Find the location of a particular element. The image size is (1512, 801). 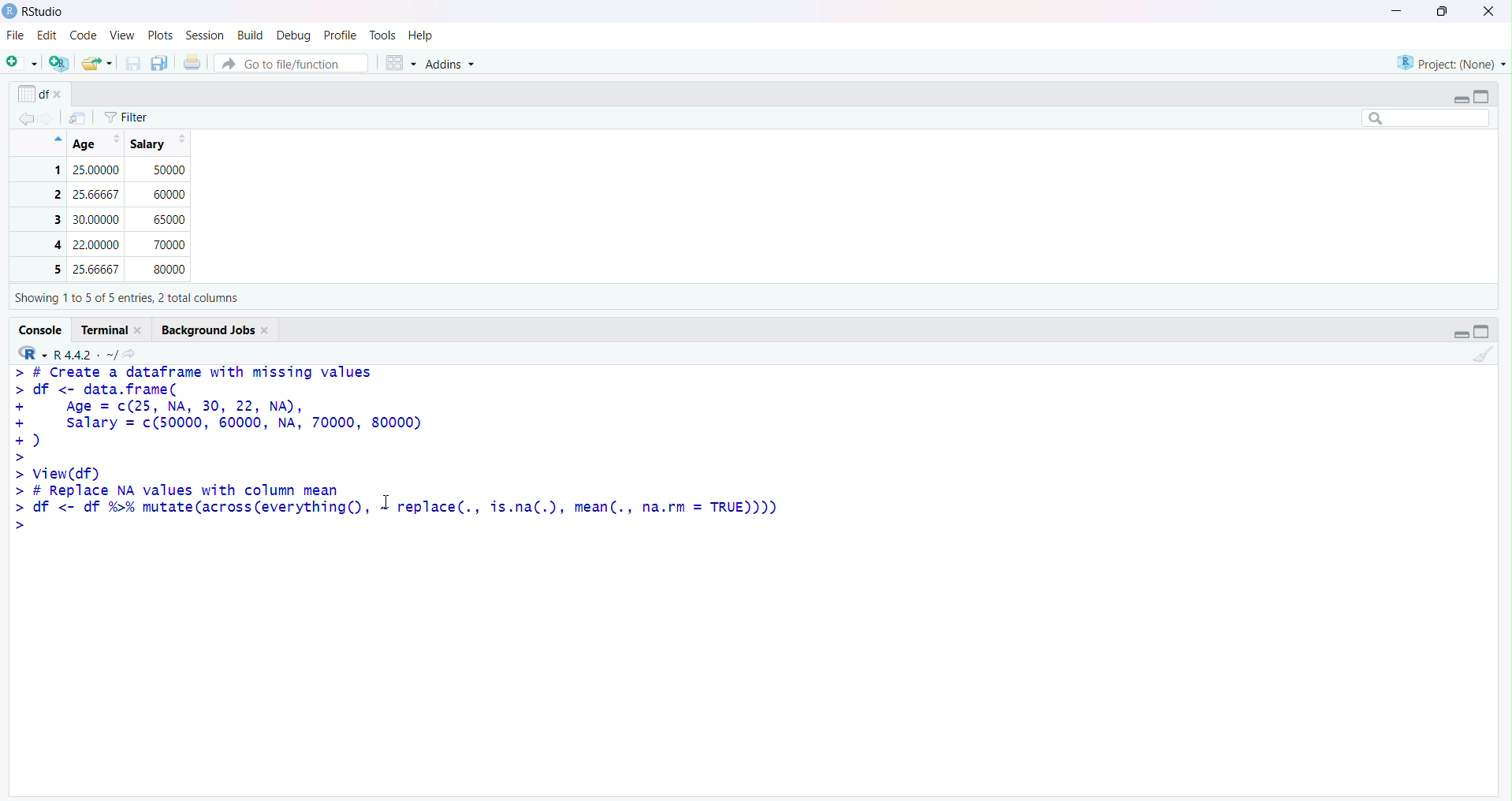

Hide is located at coordinates (54, 141).